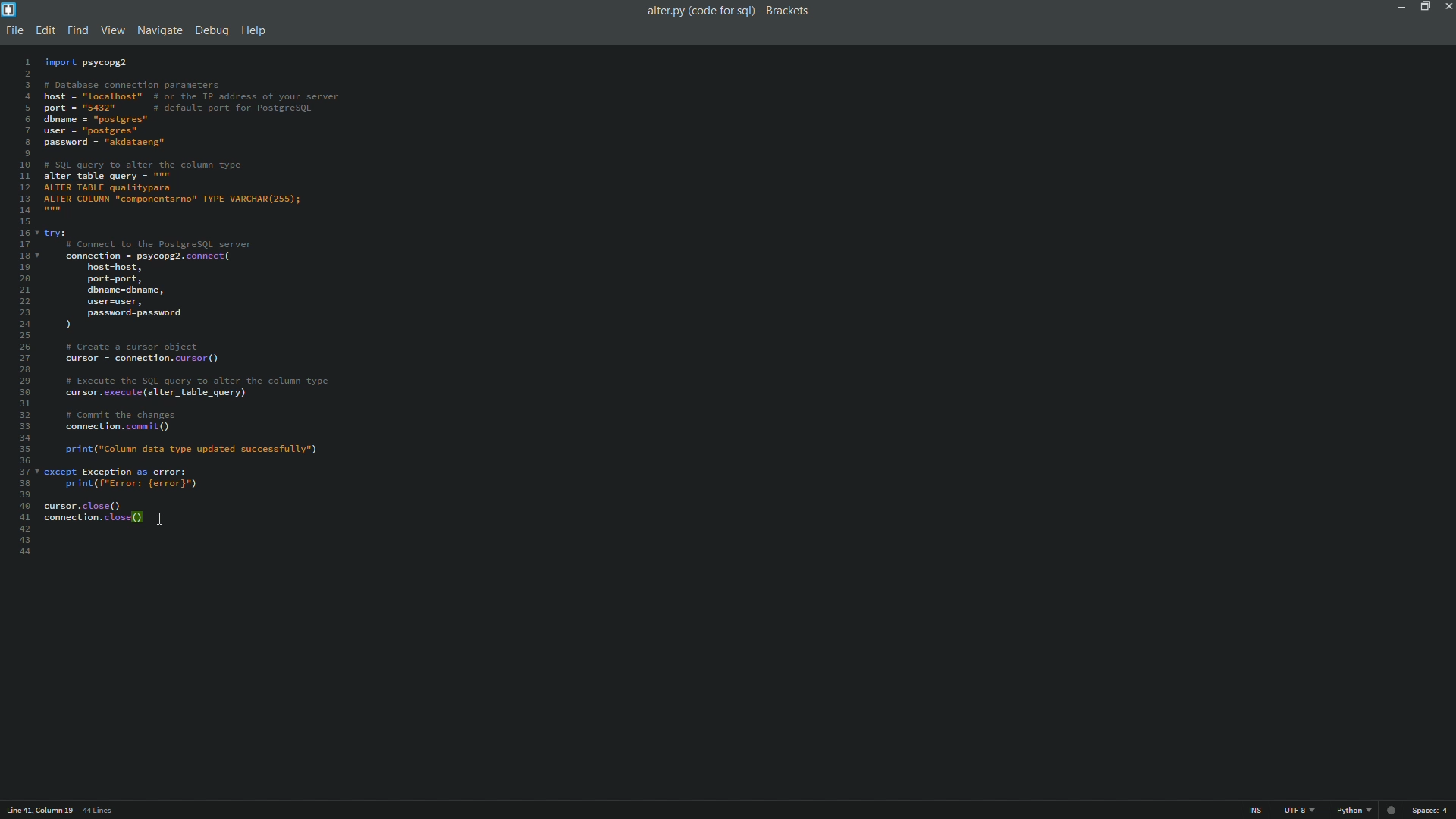 The image size is (1456, 819). Describe the element at coordinates (101, 811) in the screenshot. I see `number of lines` at that location.